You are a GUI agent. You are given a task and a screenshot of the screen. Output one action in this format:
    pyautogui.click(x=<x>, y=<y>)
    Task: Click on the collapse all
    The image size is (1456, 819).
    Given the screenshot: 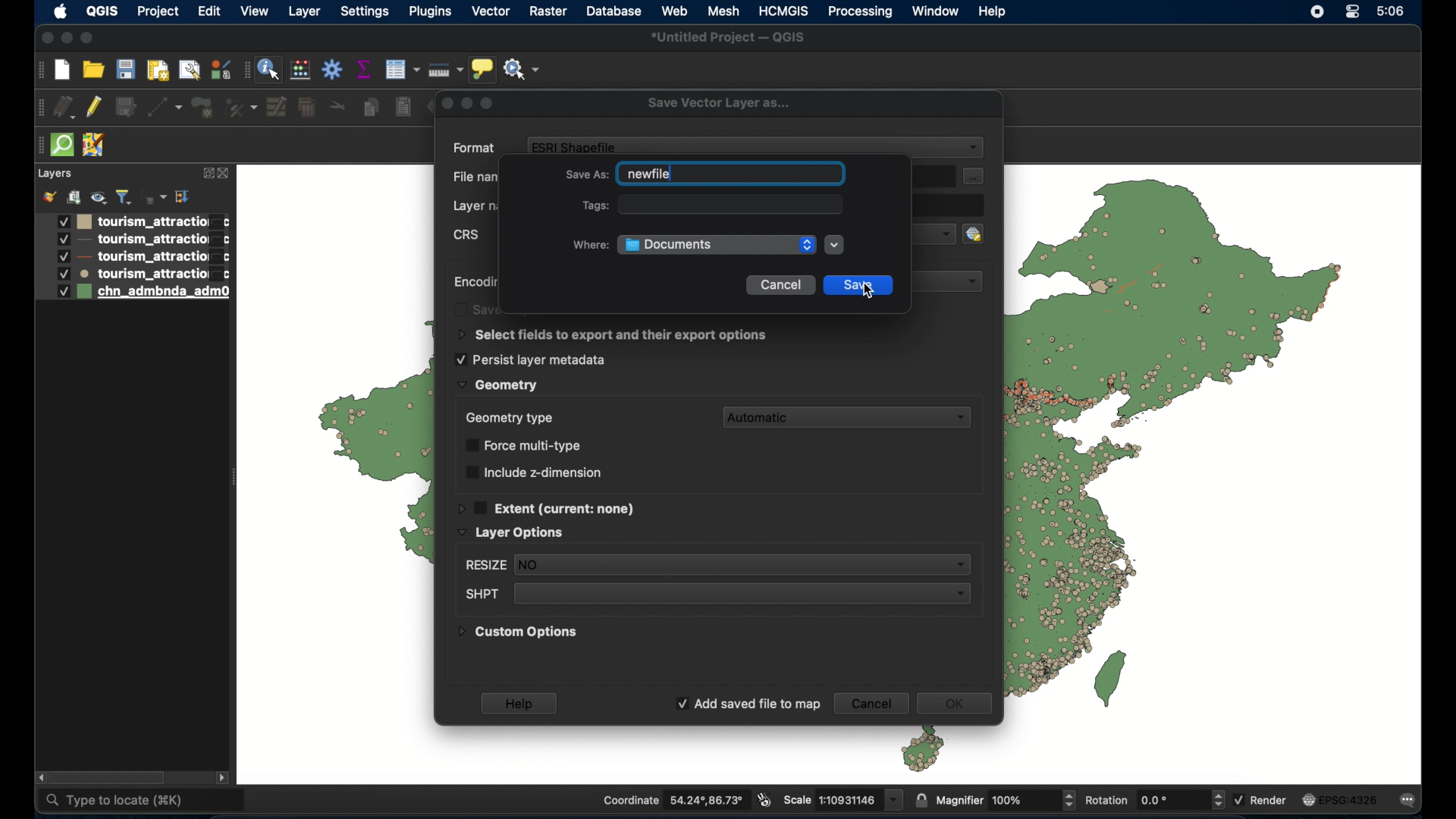 What is the action you would take?
    pyautogui.click(x=182, y=196)
    